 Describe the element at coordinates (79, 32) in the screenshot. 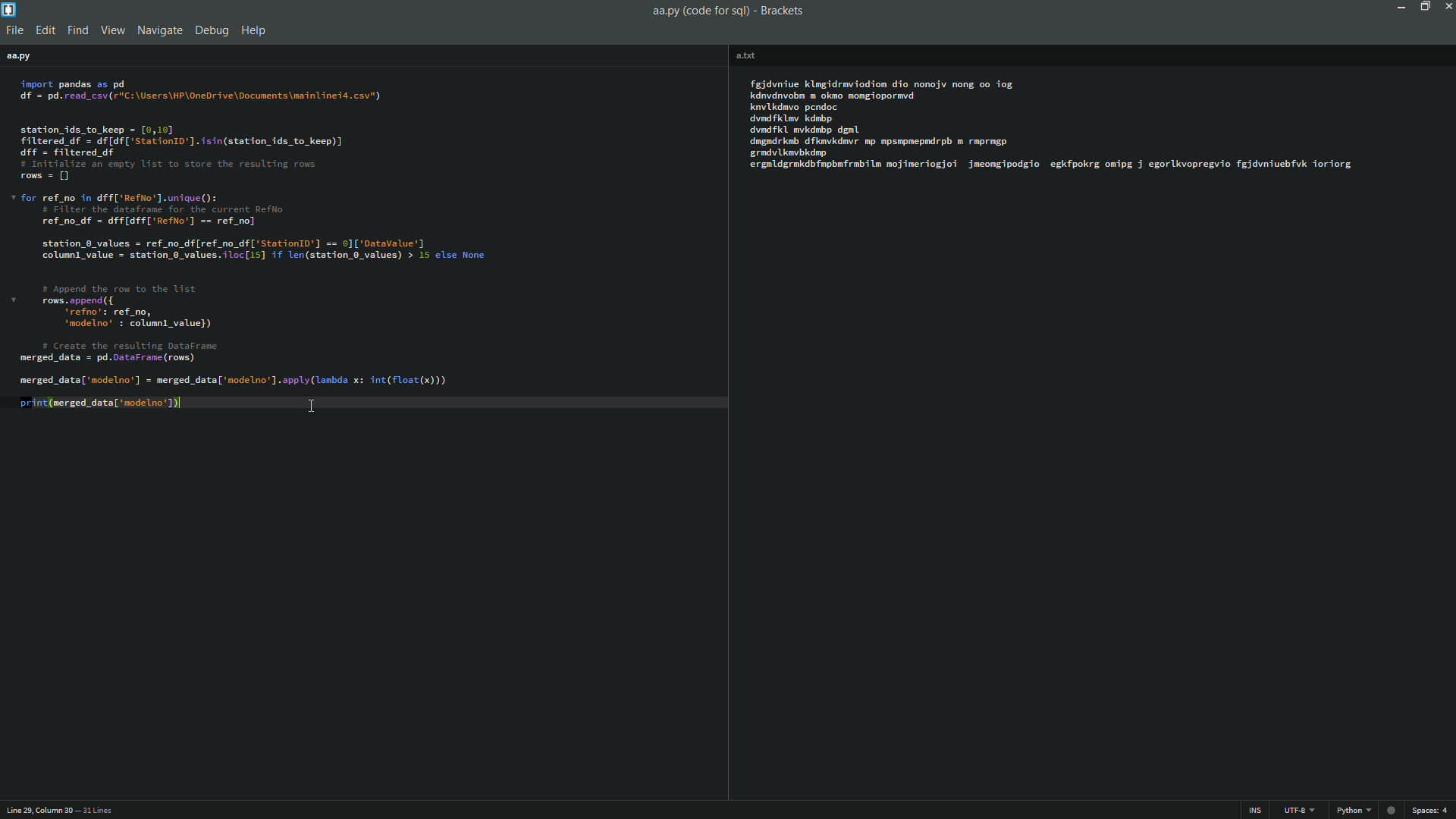

I see `find menu` at that location.